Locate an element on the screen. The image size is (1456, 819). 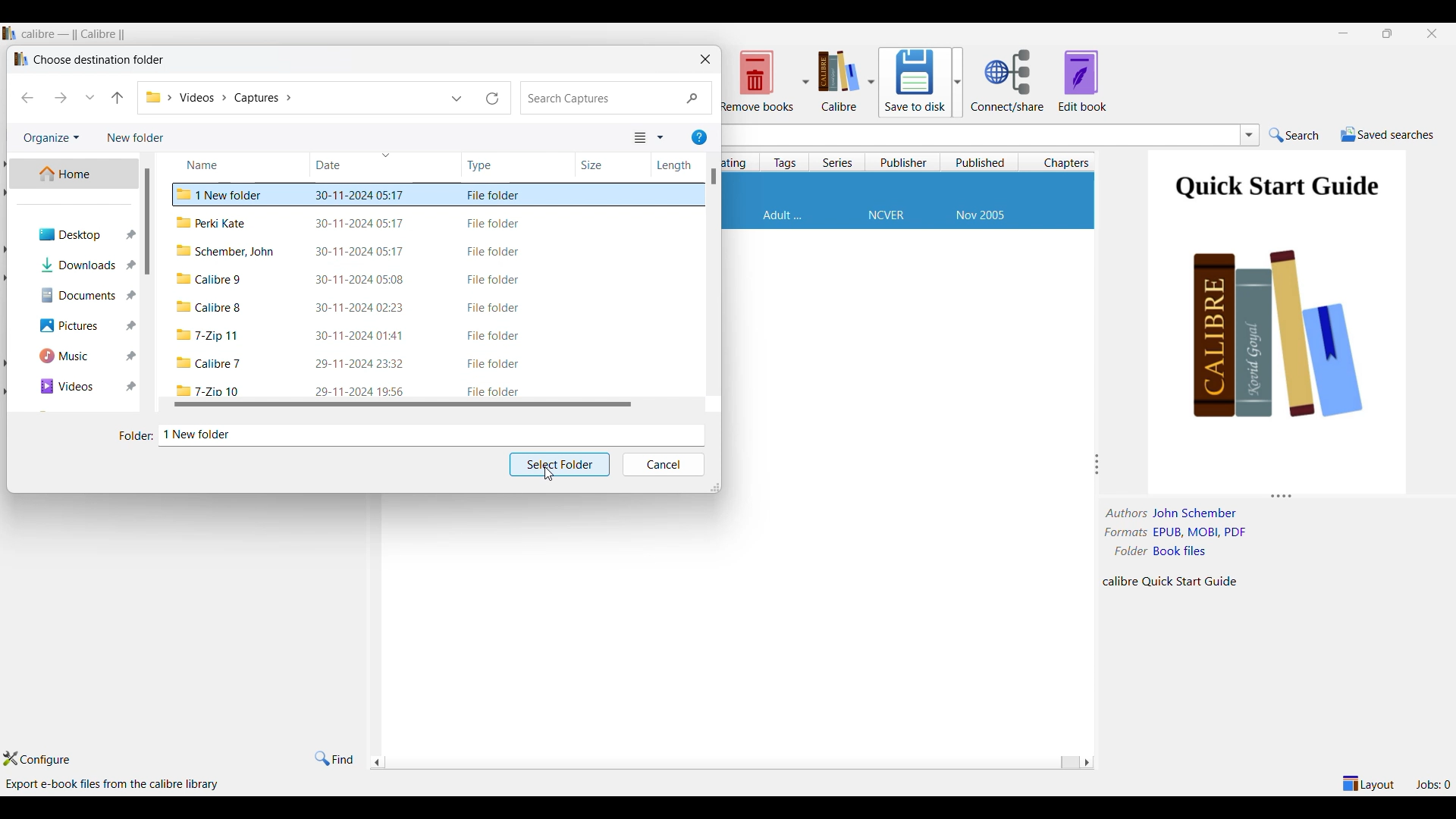
Chapters column is located at coordinates (1062, 162).